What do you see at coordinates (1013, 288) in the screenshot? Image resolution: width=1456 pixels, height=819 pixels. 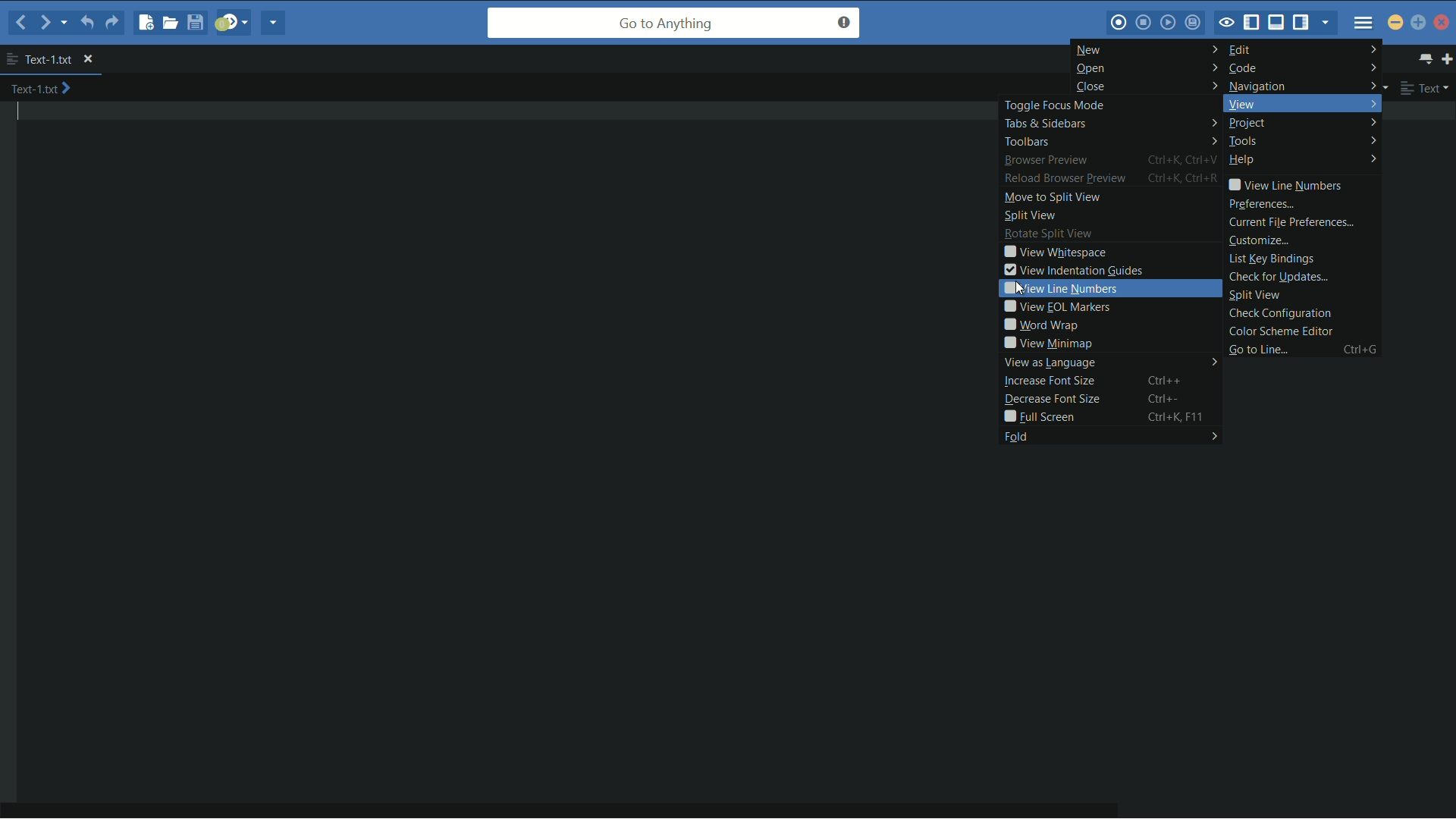 I see `cursor` at bounding box center [1013, 288].